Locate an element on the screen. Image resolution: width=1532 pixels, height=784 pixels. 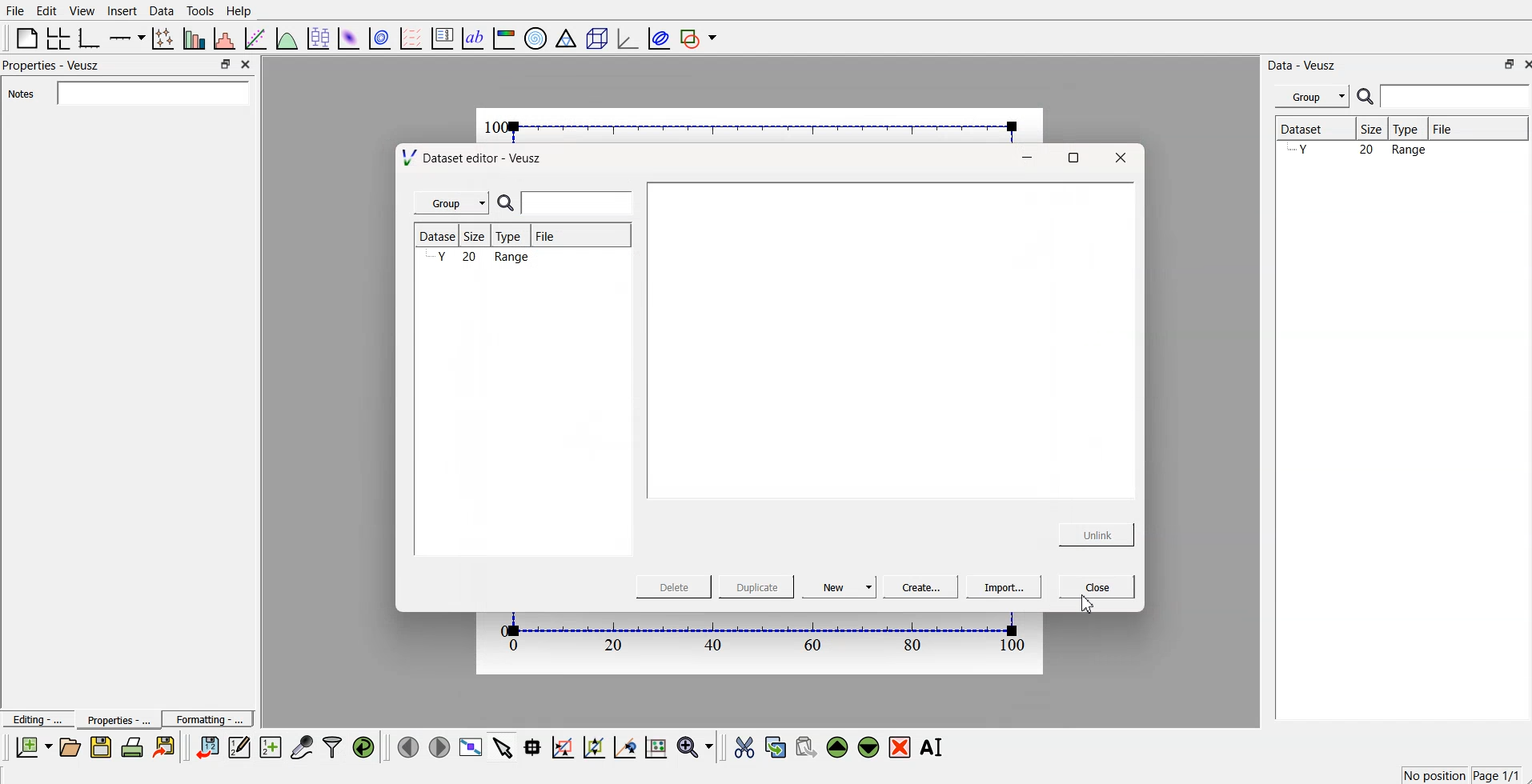
Edit is located at coordinates (47, 10).